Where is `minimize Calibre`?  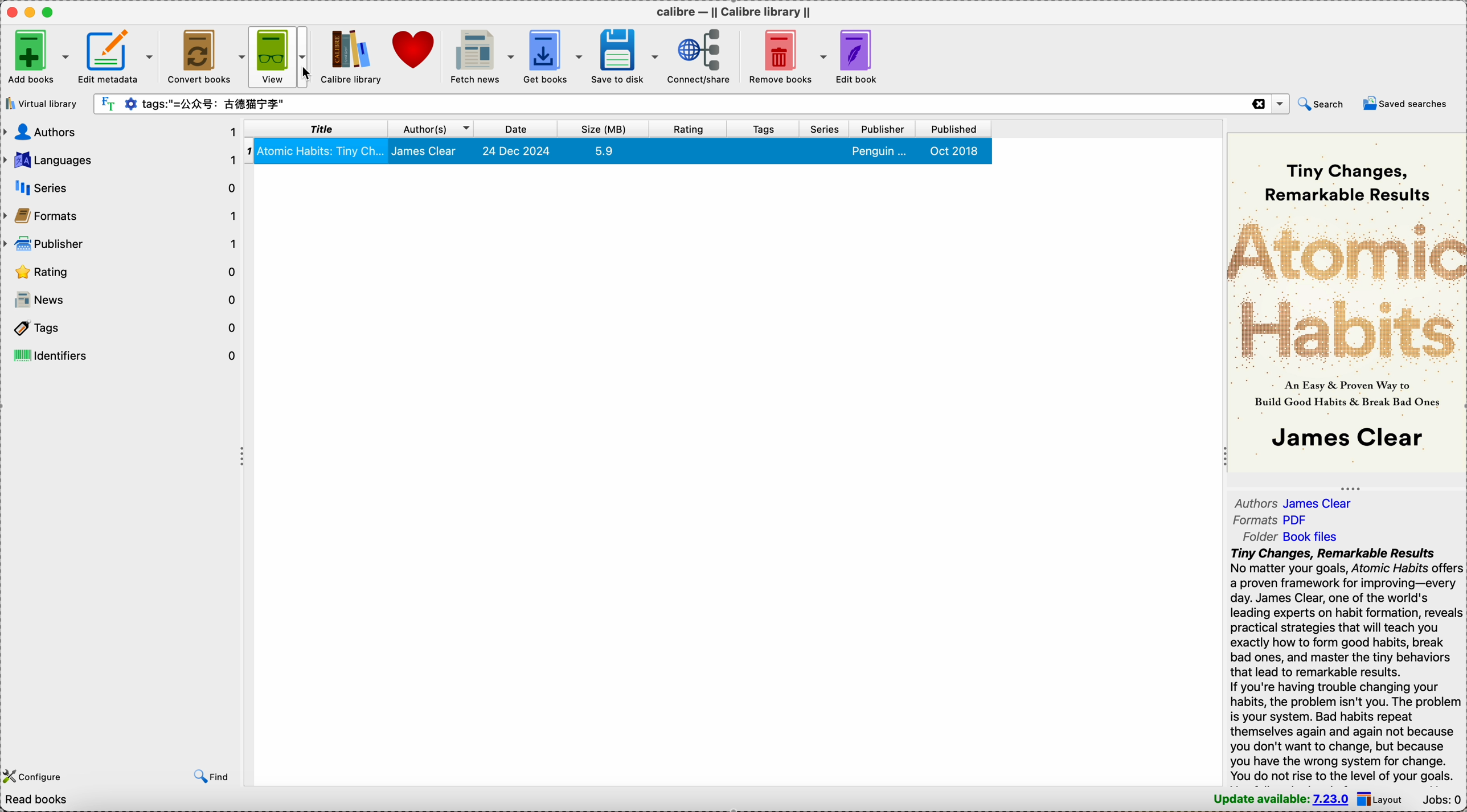
minimize Calibre is located at coordinates (28, 12).